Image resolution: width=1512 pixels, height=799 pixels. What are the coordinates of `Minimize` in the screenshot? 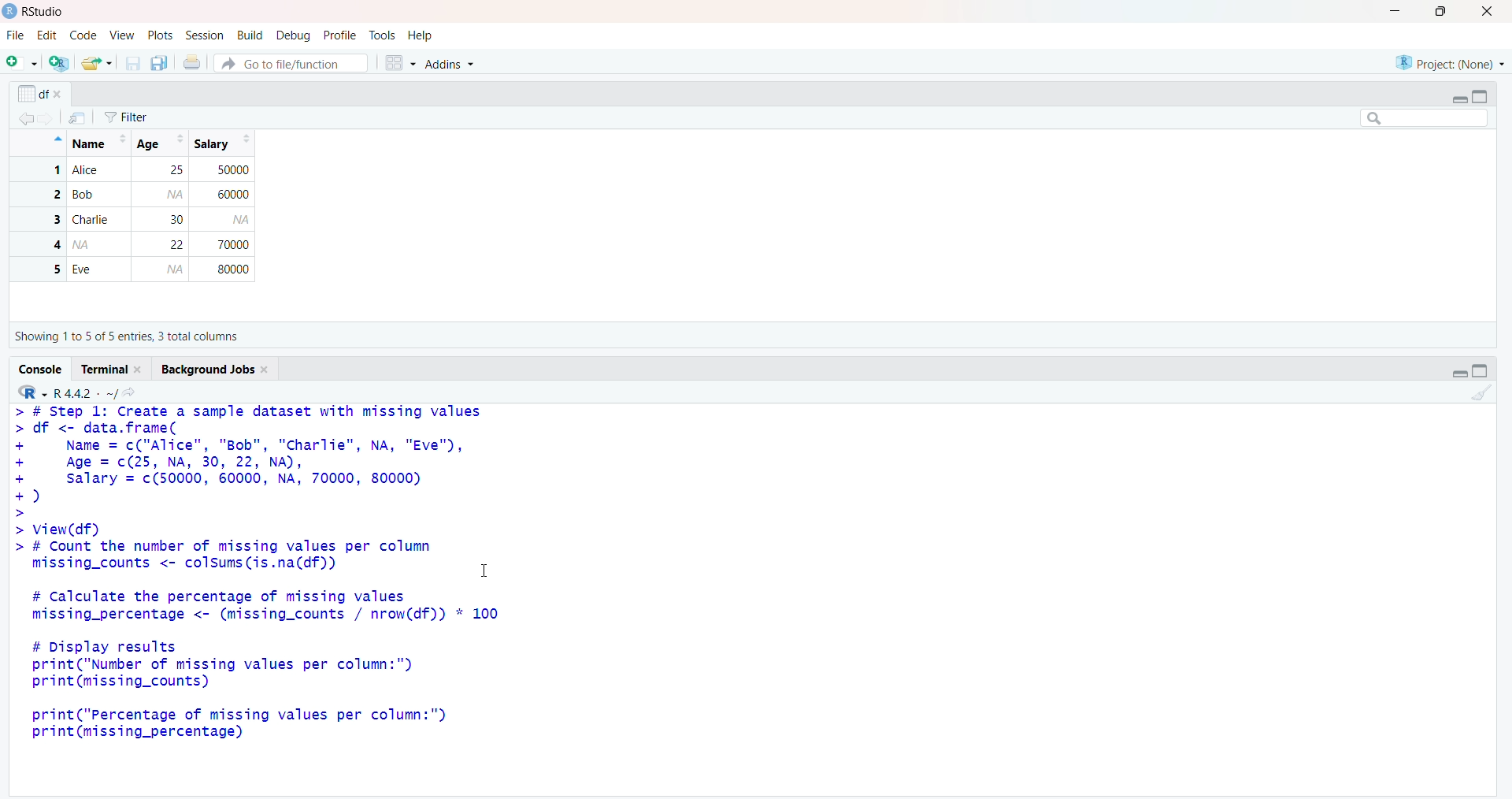 It's located at (1457, 98).